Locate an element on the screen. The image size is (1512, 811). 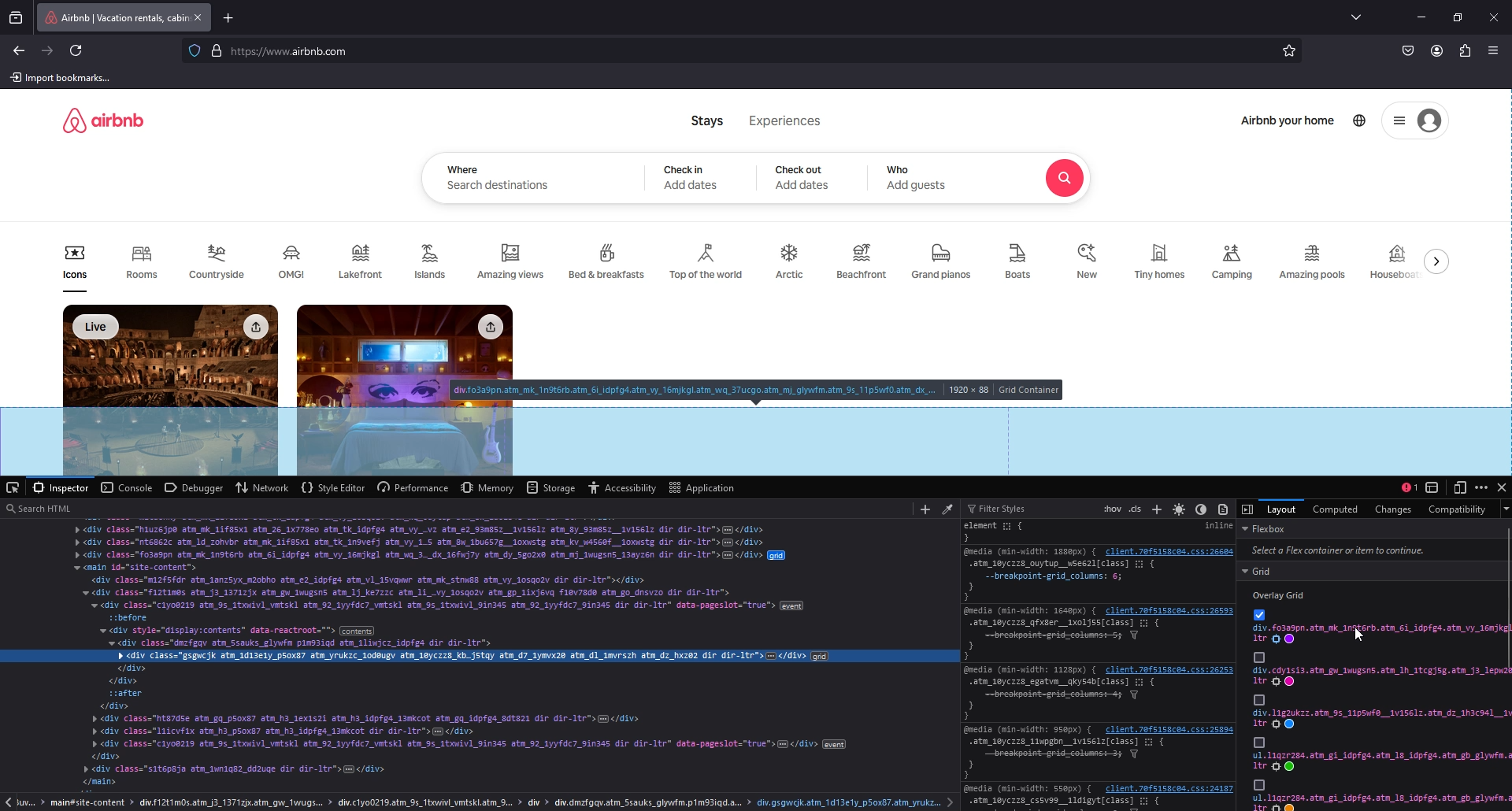
forward is located at coordinates (48, 50).